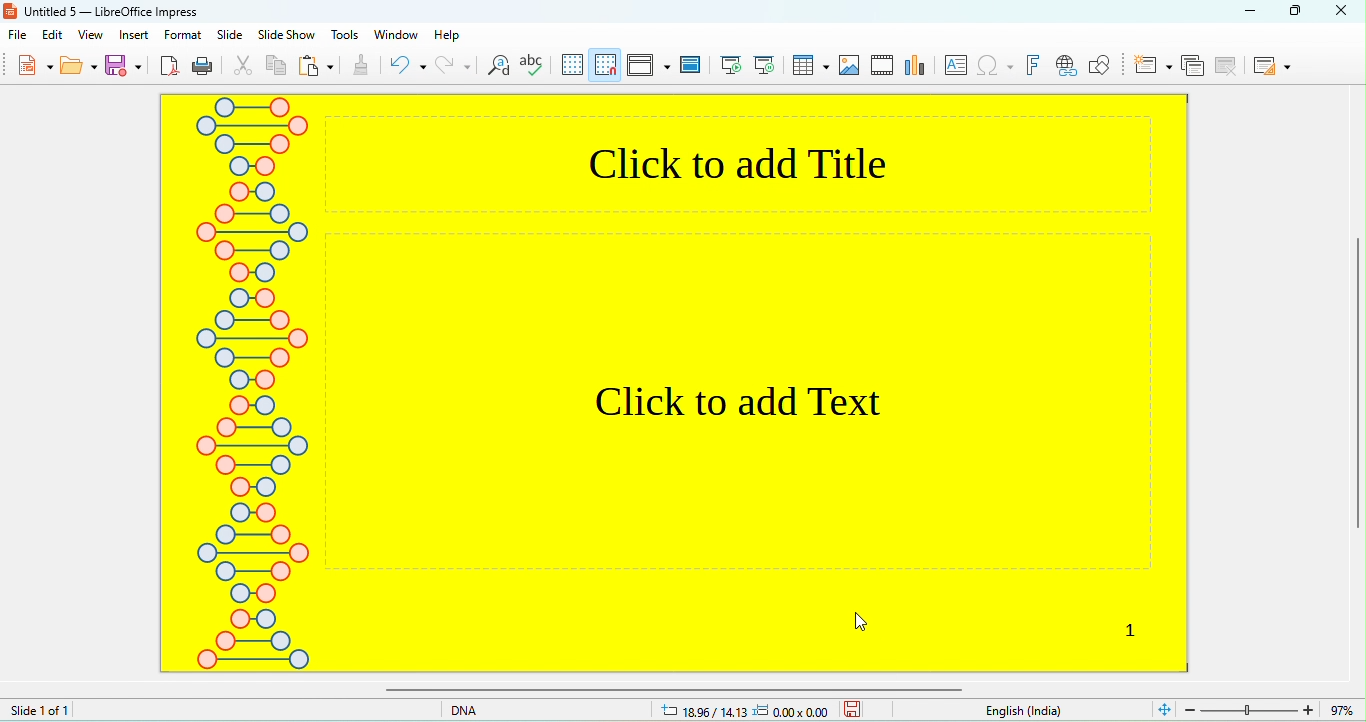 This screenshot has width=1366, height=722. I want to click on edit, so click(55, 35).